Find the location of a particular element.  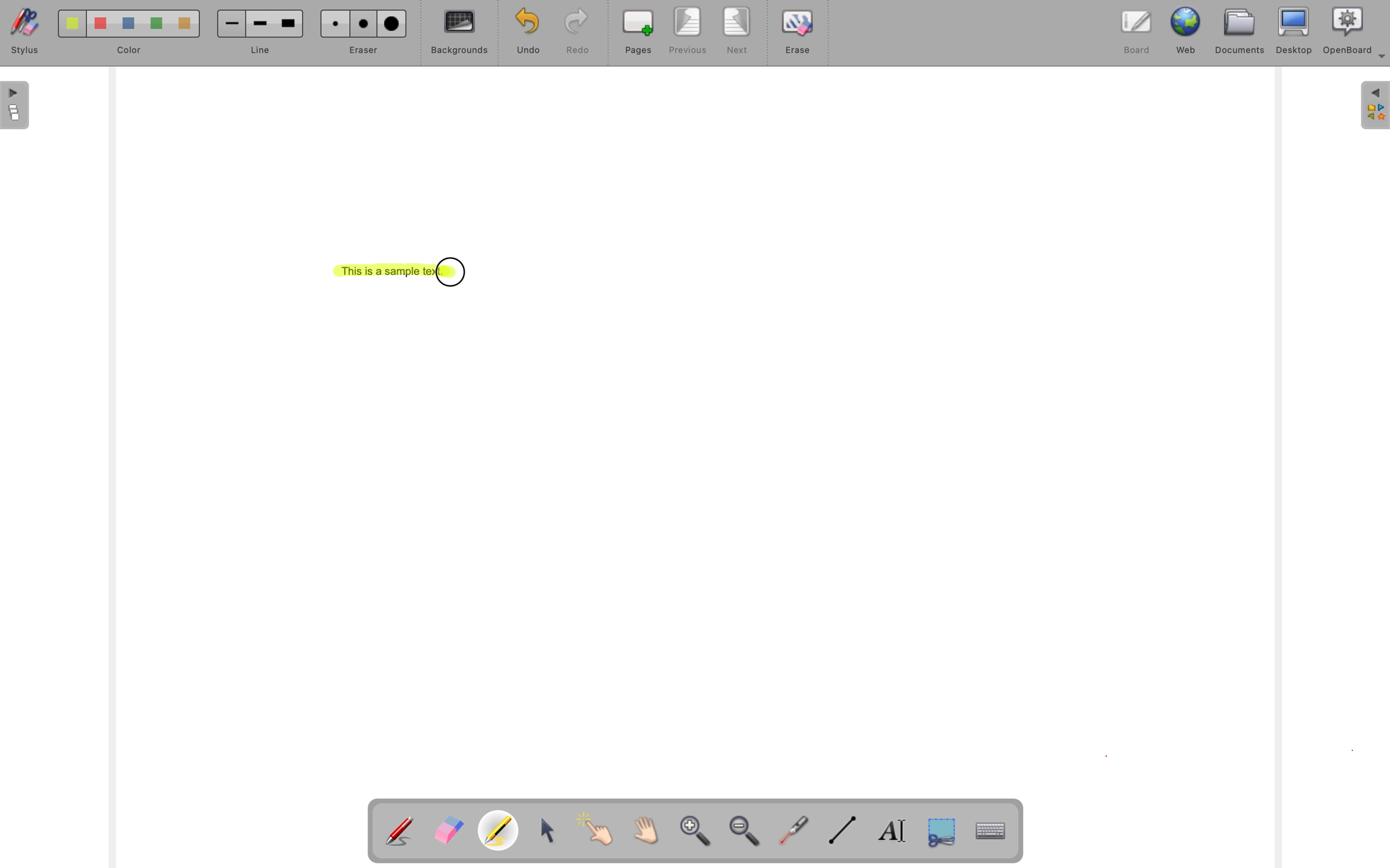

previous is located at coordinates (688, 31).